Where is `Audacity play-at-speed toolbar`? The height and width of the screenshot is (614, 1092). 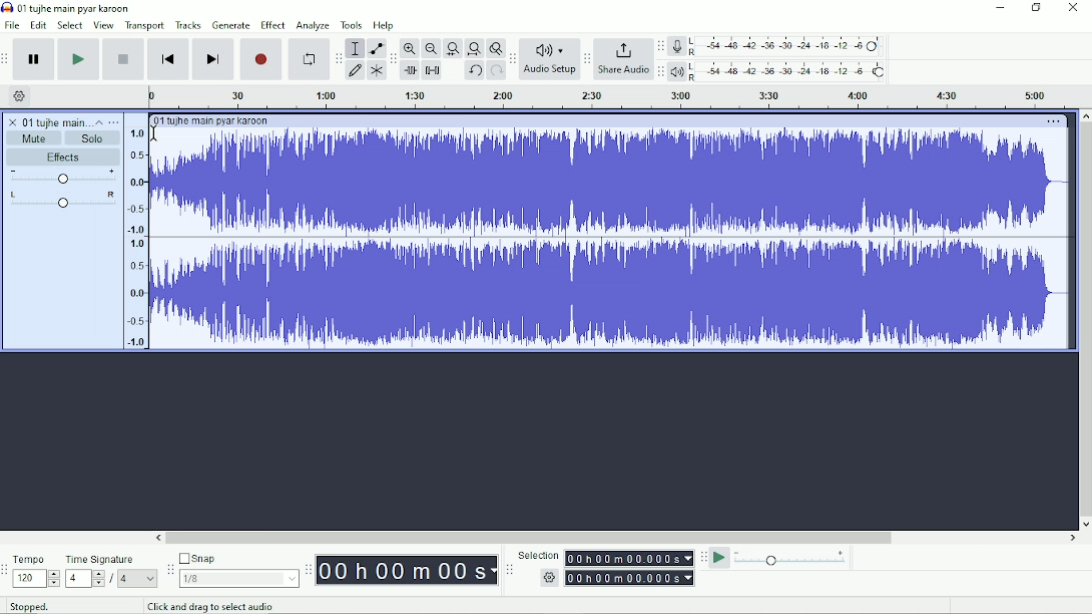
Audacity play-at-speed toolbar is located at coordinates (703, 557).